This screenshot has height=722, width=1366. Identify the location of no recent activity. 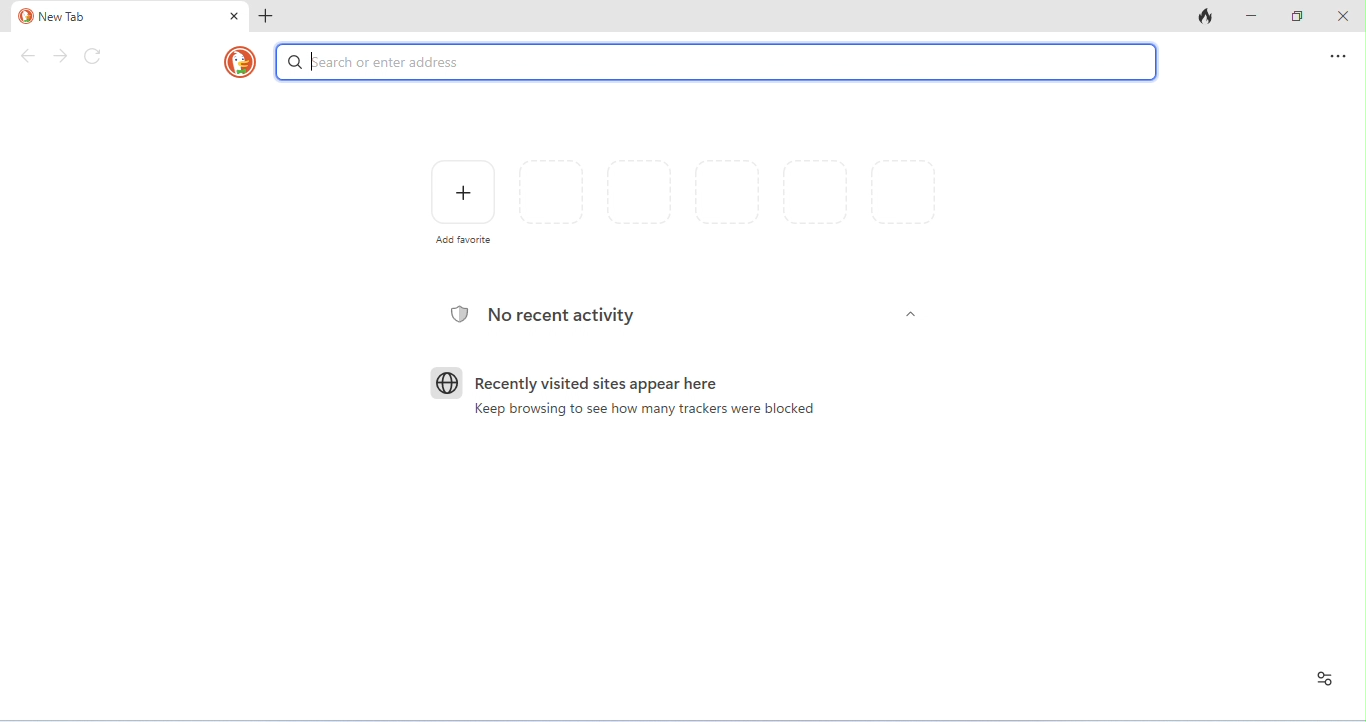
(562, 315).